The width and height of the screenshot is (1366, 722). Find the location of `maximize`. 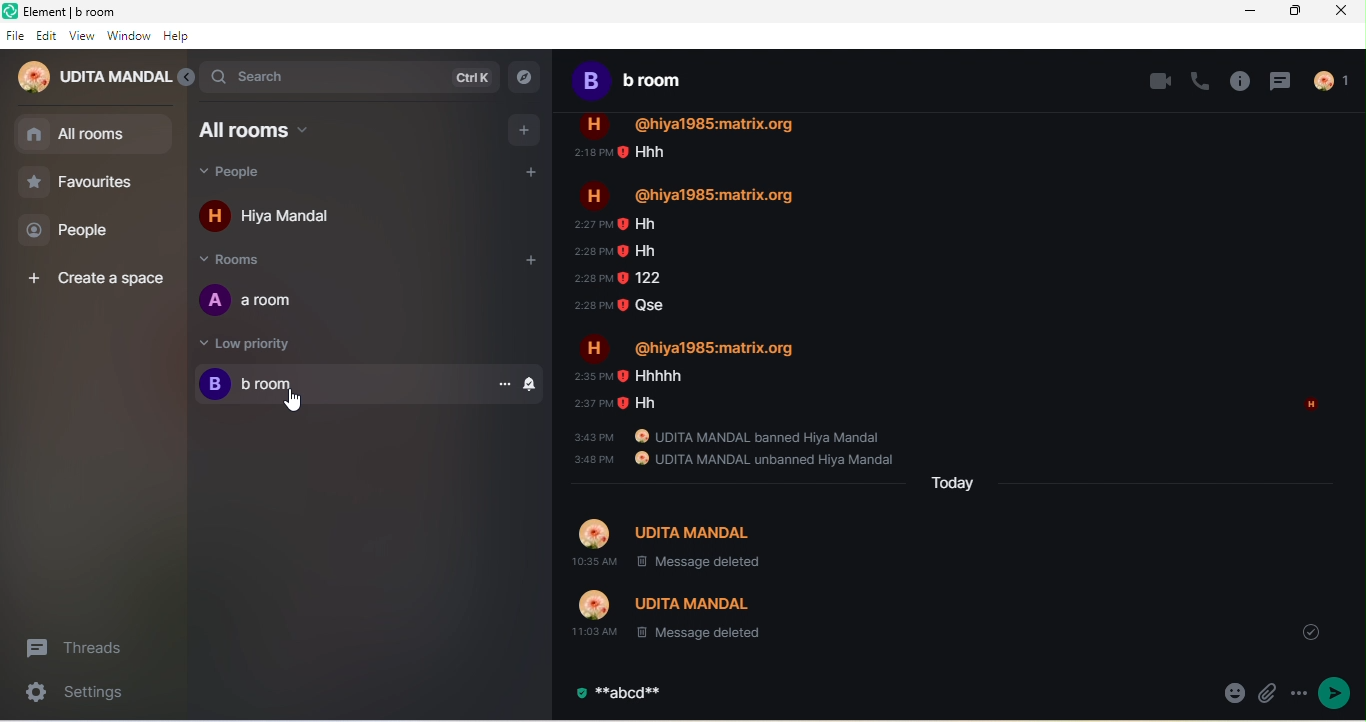

maximize is located at coordinates (1299, 12).